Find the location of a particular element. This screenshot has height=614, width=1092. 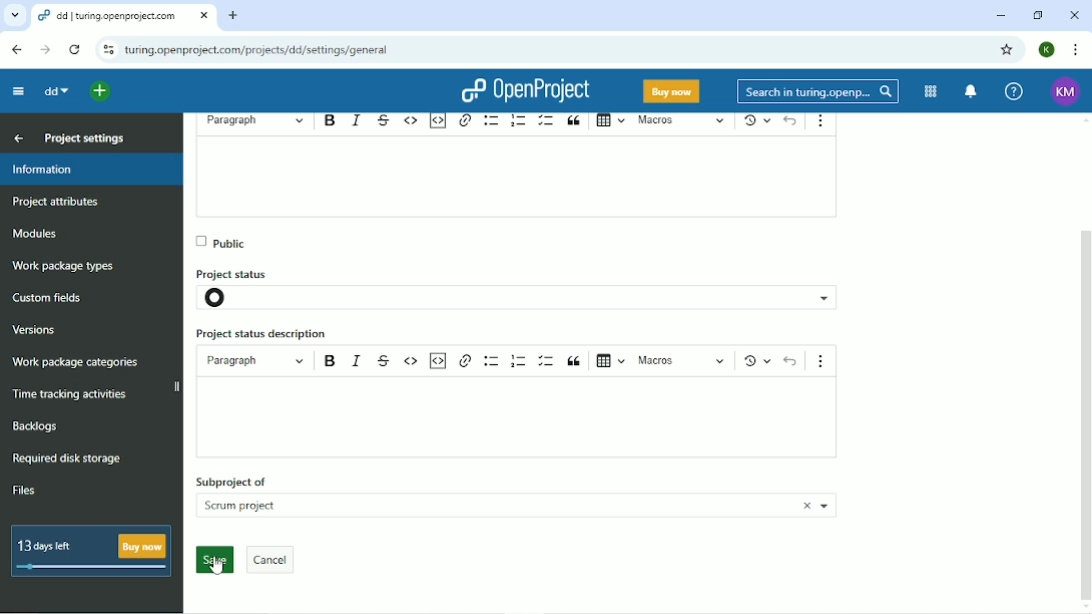

To-do list is located at coordinates (546, 121).